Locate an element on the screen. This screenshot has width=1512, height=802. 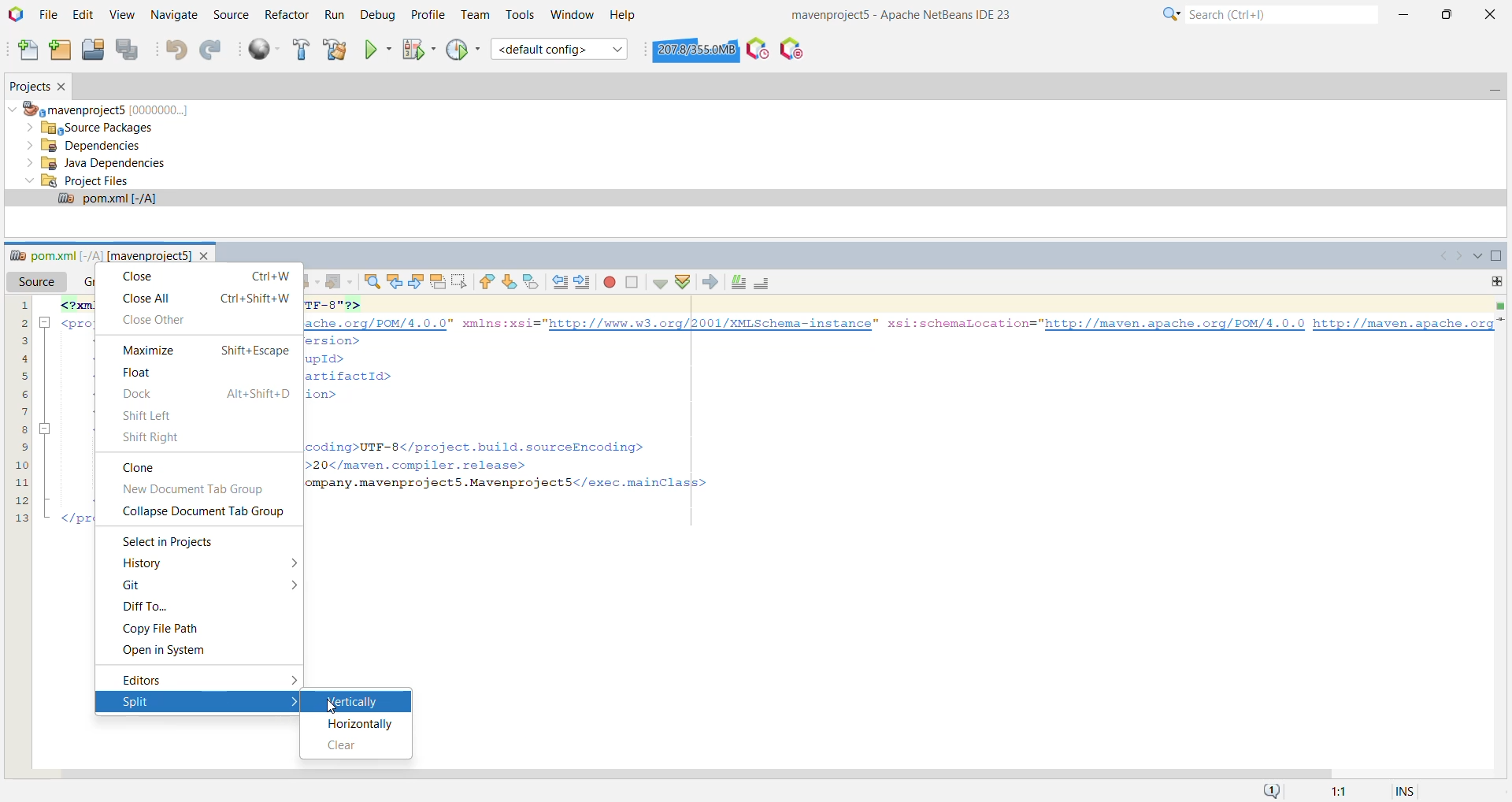
Dock is located at coordinates (206, 394).